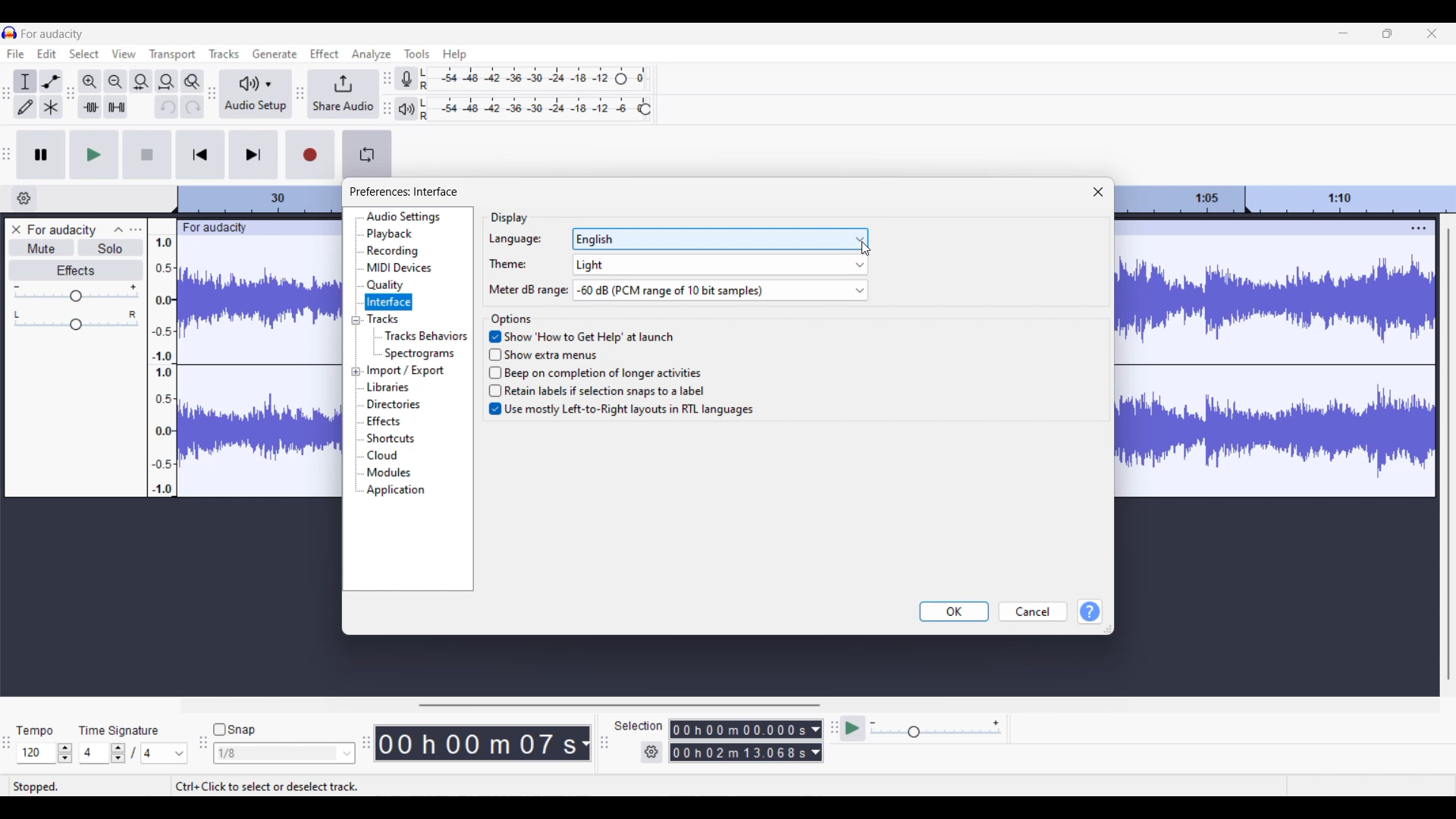 Image resolution: width=1456 pixels, height=819 pixels. What do you see at coordinates (392, 251) in the screenshot?
I see `Recording` at bounding box center [392, 251].